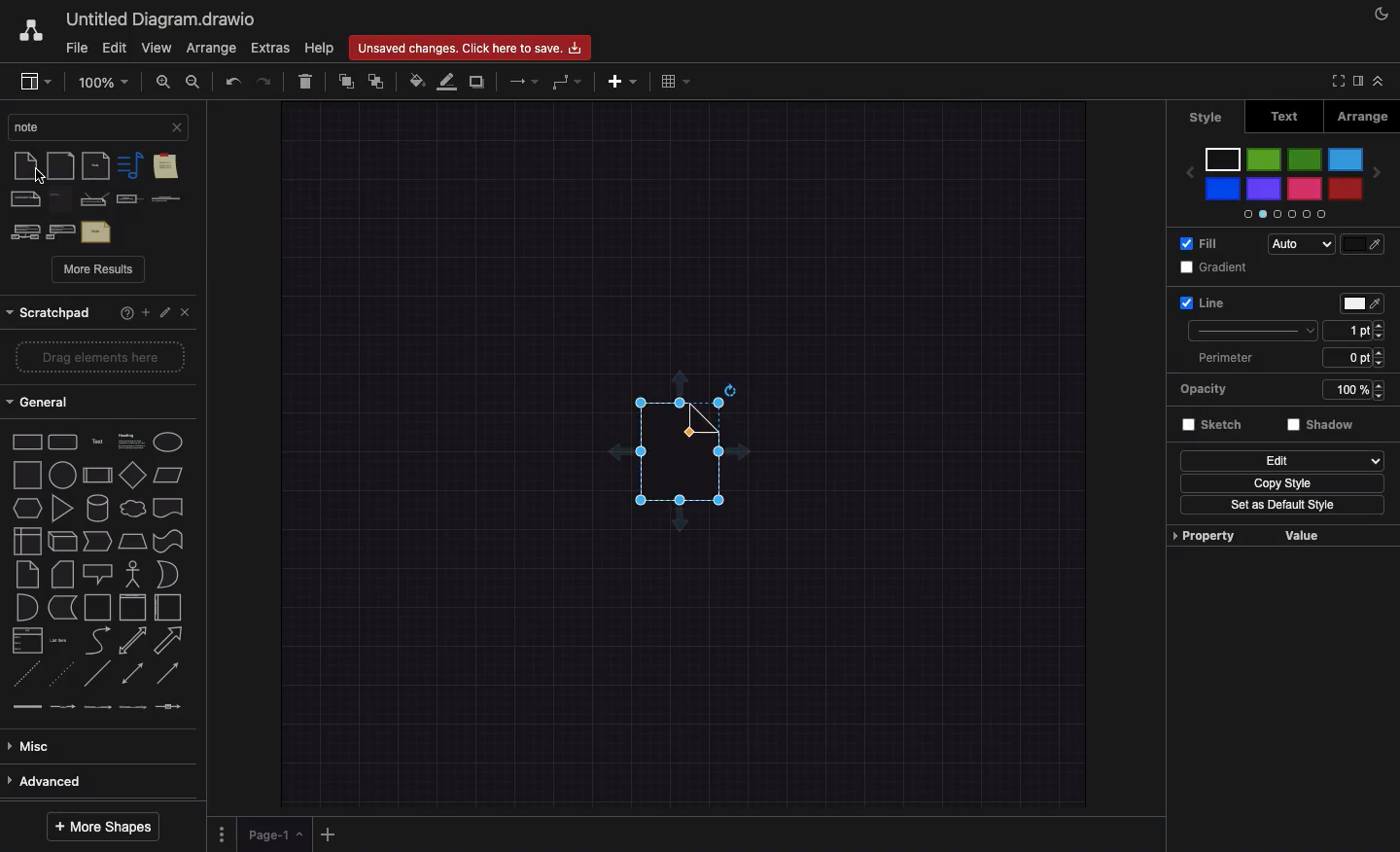  Describe the element at coordinates (65, 510) in the screenshot. I see `triangle` at that location.